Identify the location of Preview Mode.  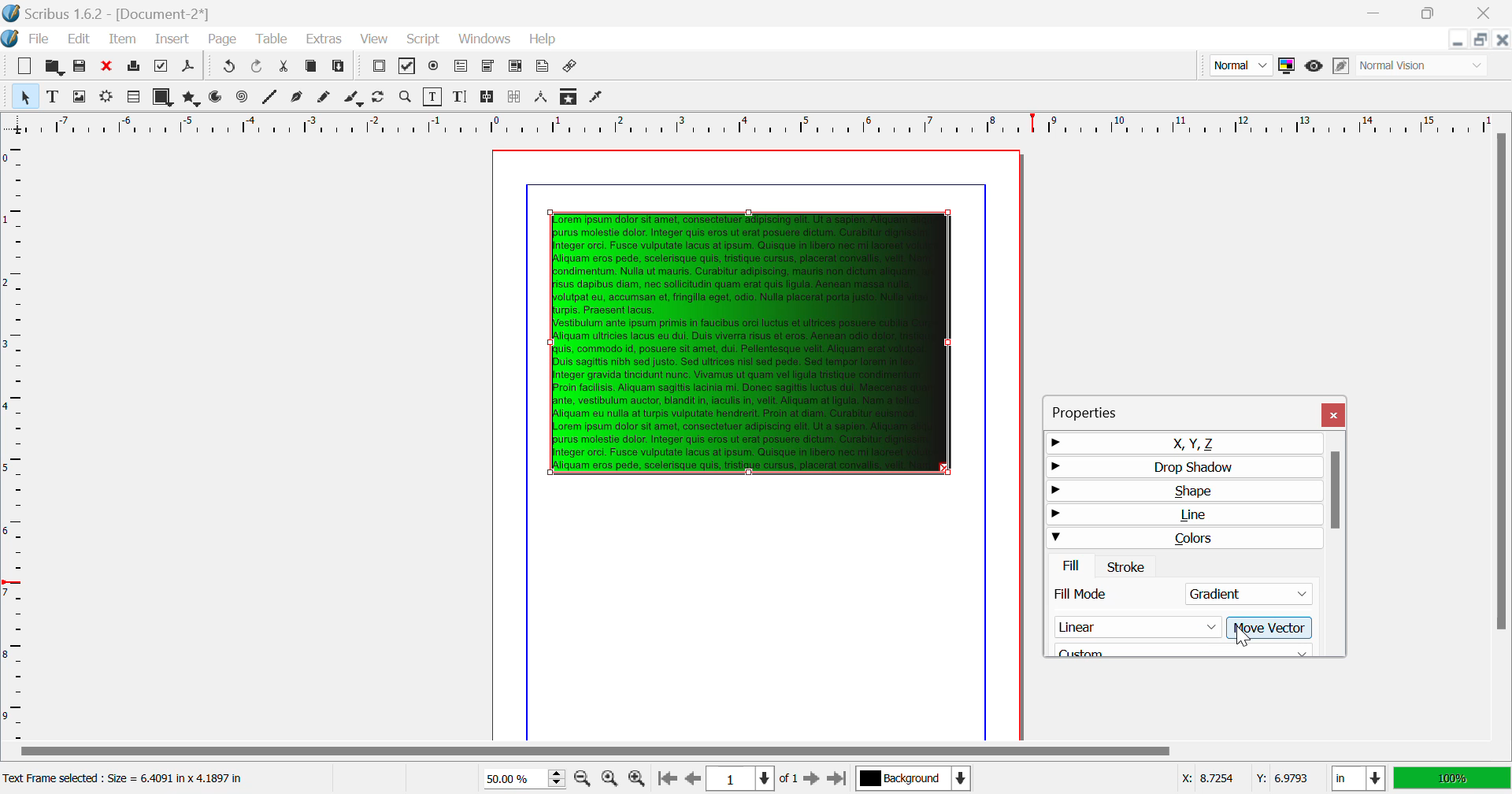
(1314, 68).